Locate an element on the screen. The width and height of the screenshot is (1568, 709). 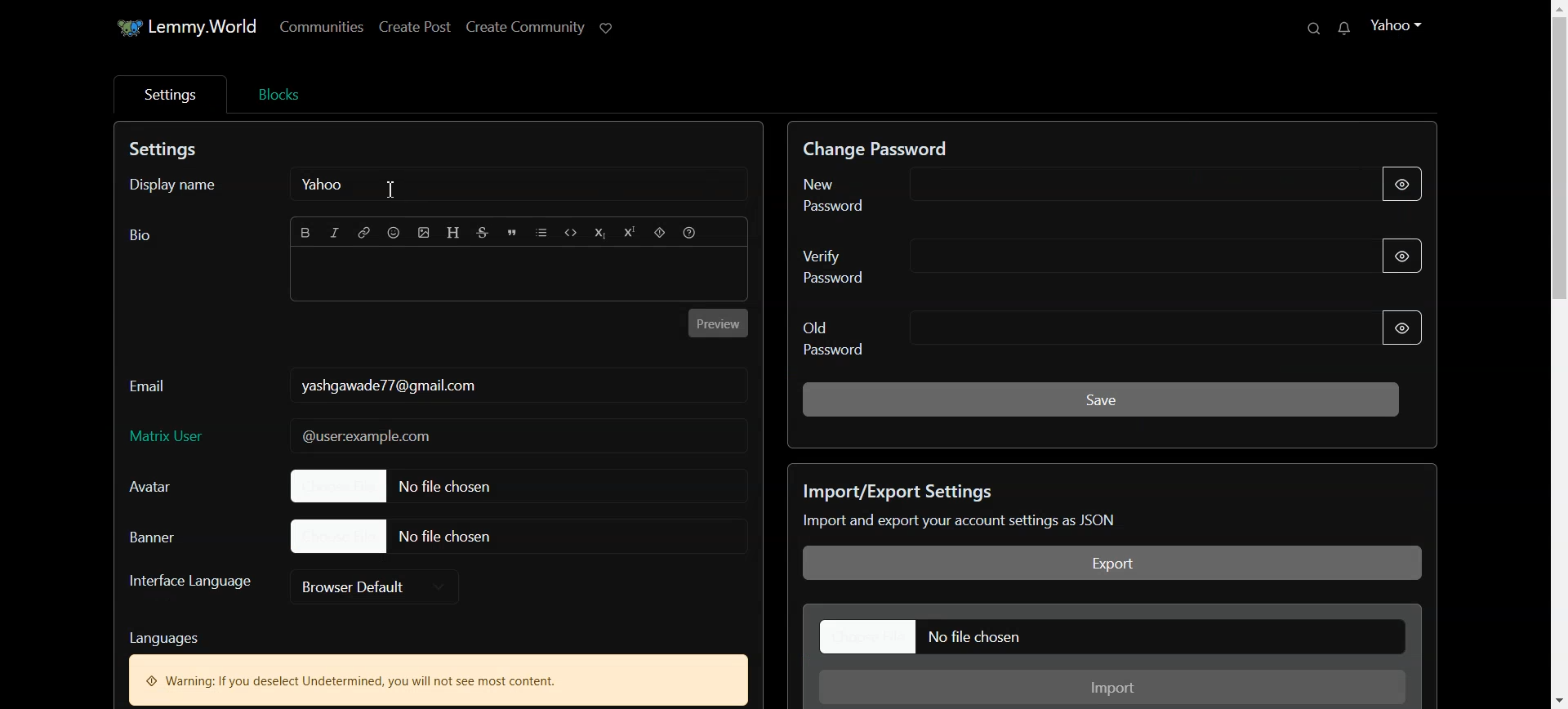
Subscript is located at coordinates (600, 234).